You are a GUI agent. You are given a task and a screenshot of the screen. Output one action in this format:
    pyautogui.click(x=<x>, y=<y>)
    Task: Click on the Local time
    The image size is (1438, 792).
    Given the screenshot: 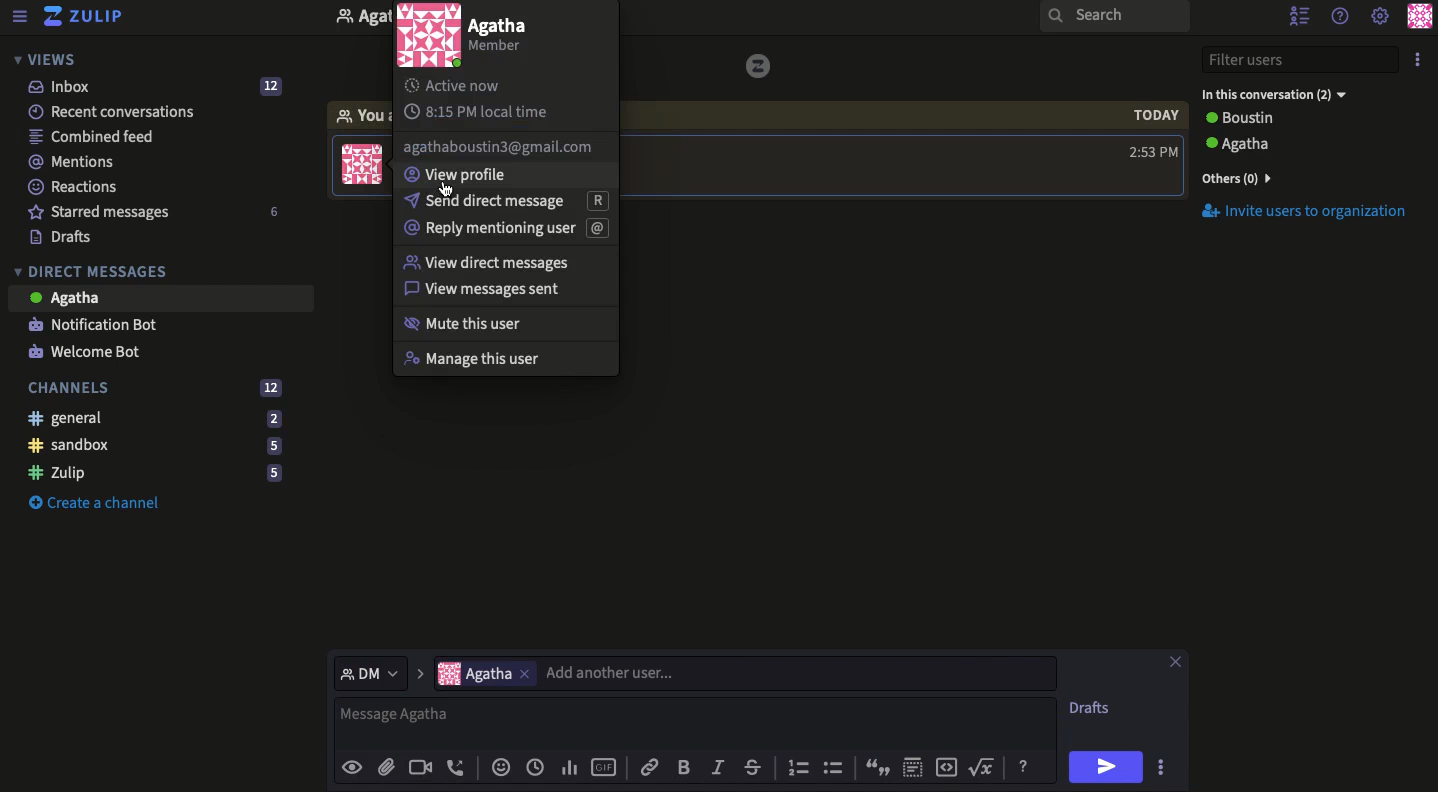 What is the action you would take?
    pyautogui.click(x=477, y=113)
    